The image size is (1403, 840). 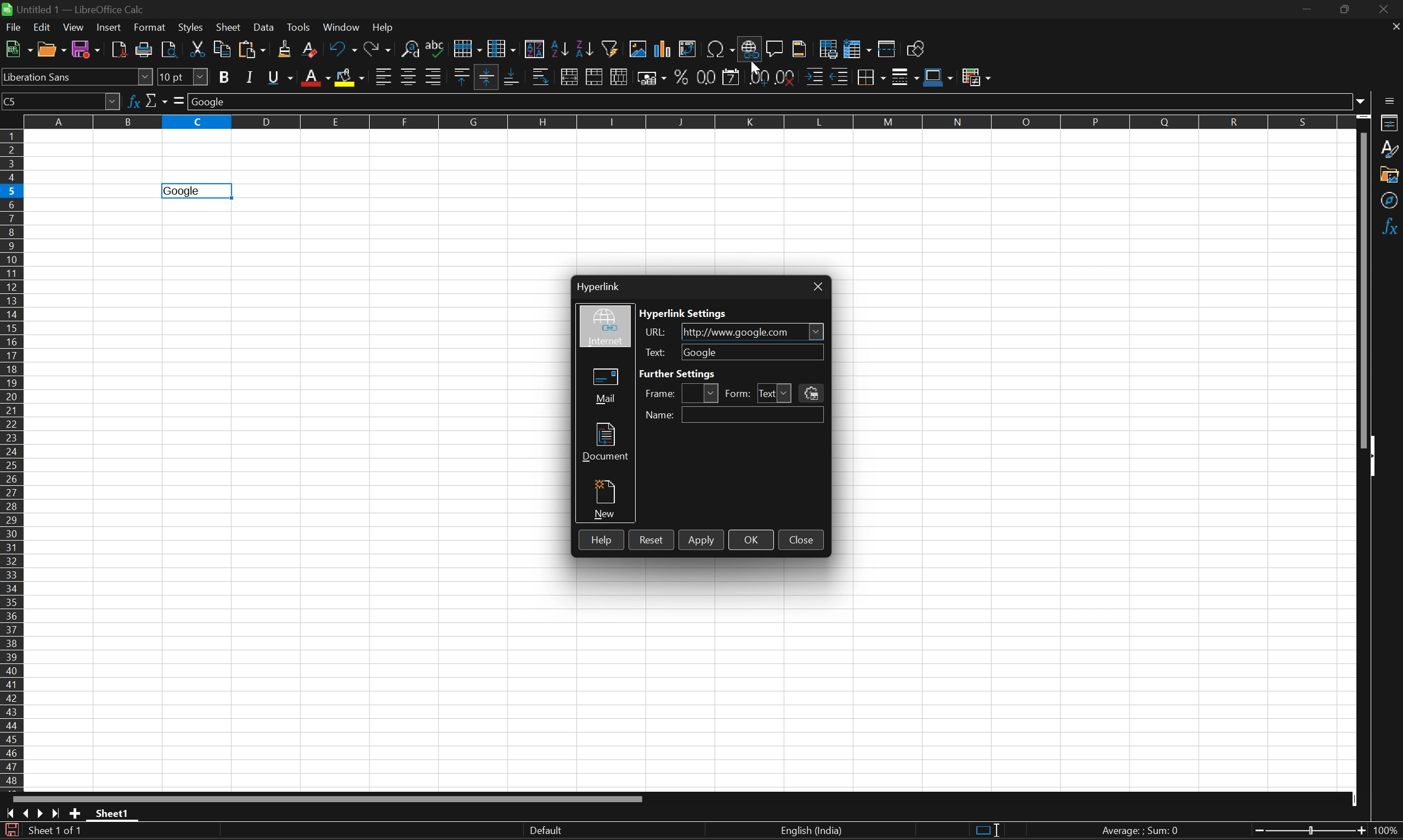 I want to click on Help, so click(x=384, y=27).